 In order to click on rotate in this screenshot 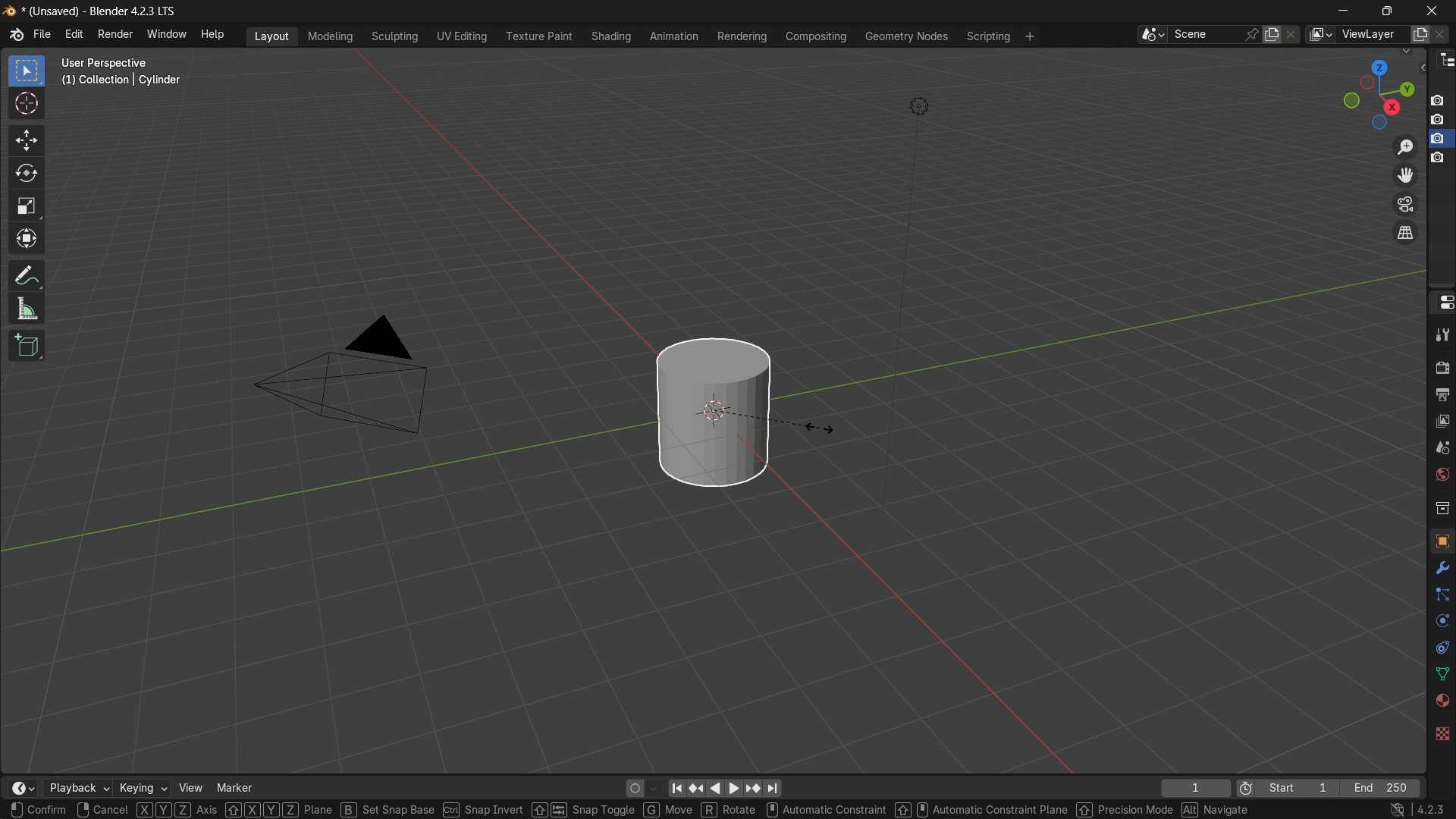, I will do `click(27, 175)`.